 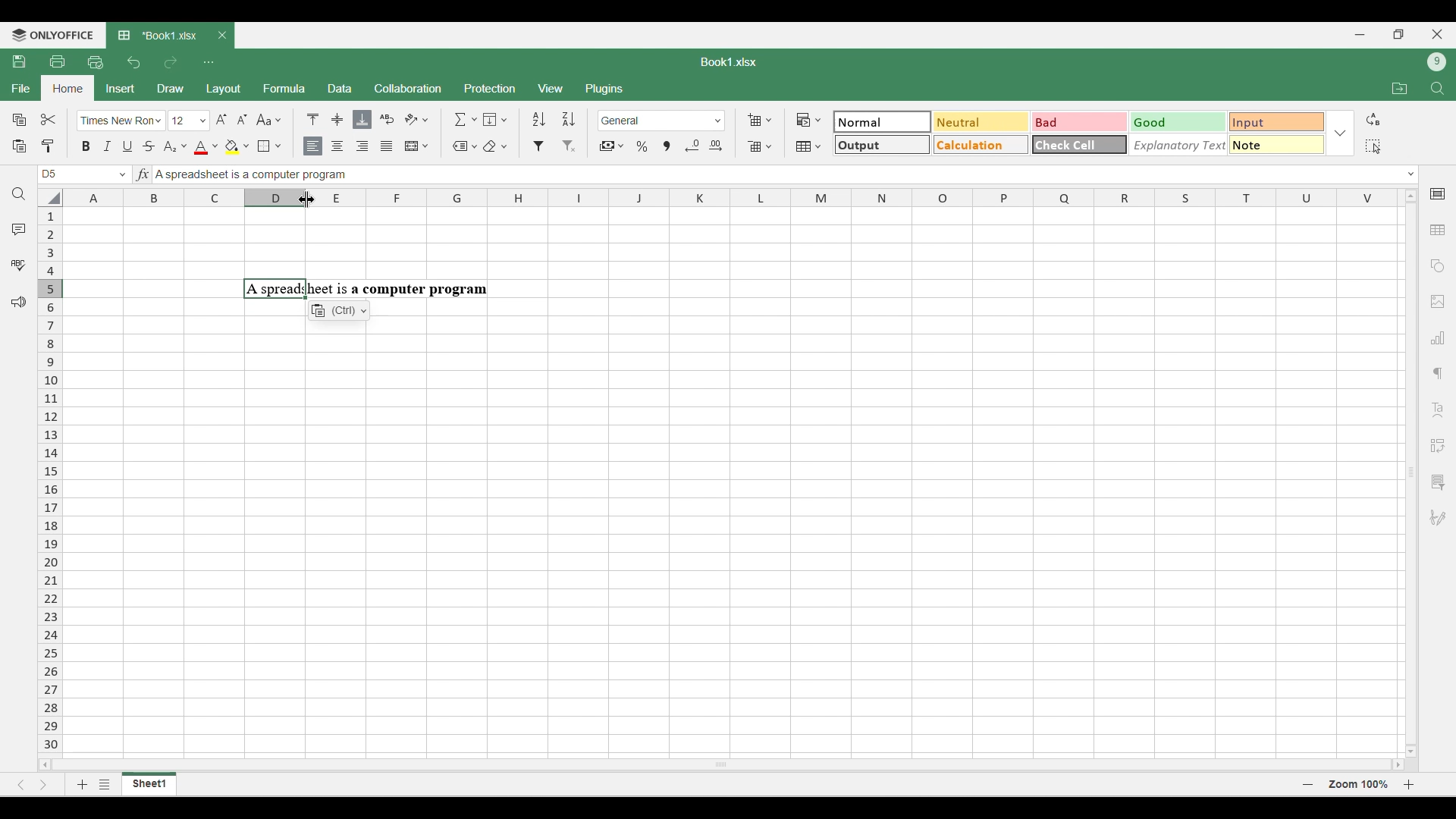 I want to click on Print file, so click(x=57, y=61).